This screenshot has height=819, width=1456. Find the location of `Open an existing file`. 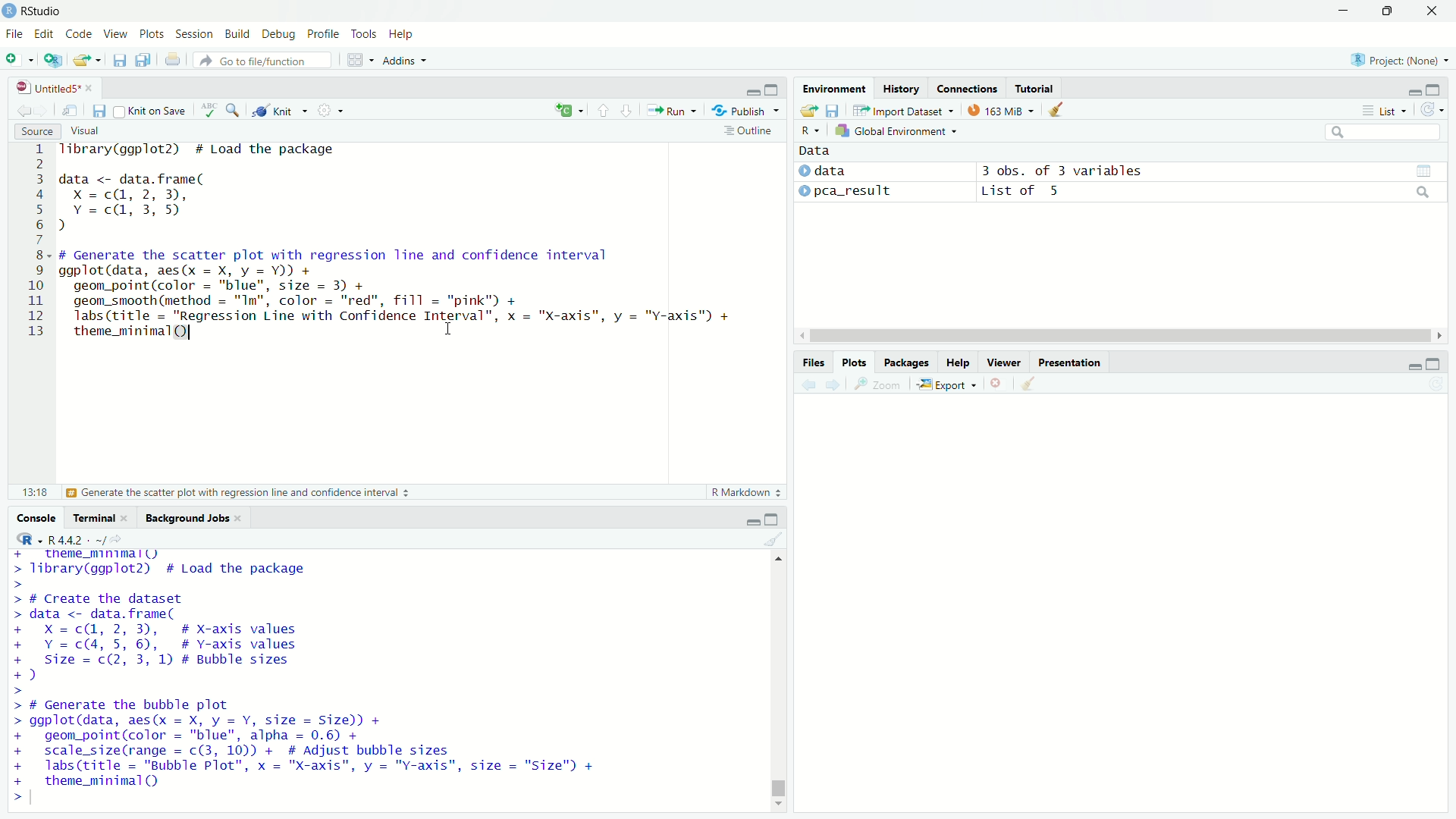

Open an existing file is located at coordinates (77, 60).